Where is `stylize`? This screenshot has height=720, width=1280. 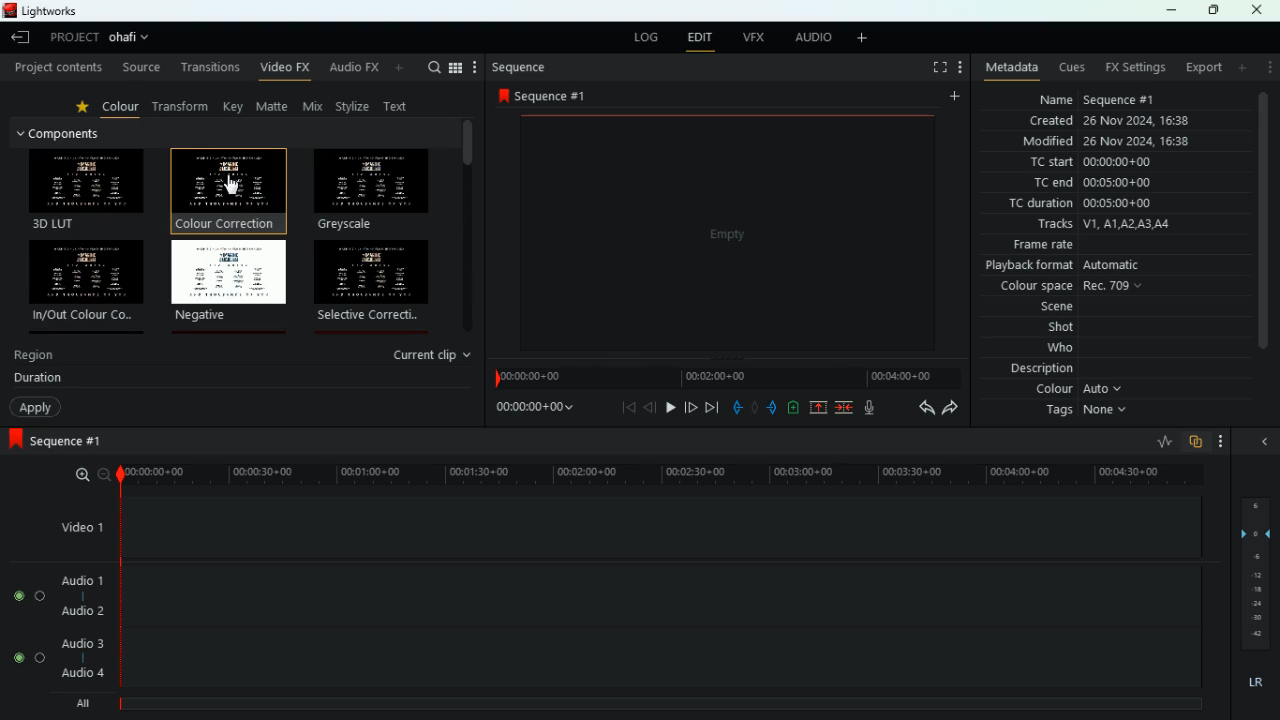 stylize is located at coordinates (355, 108).